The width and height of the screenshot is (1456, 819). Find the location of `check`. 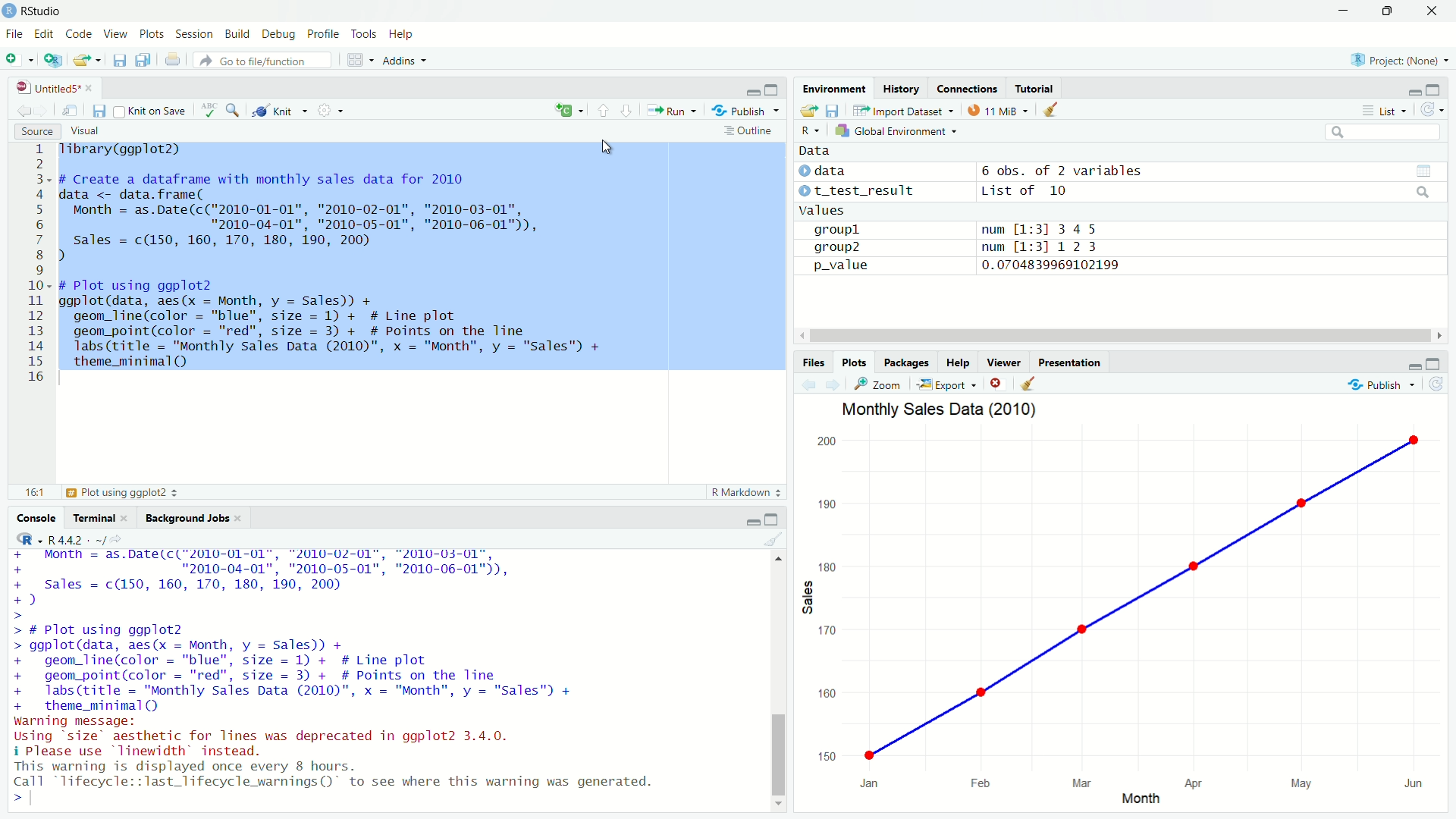

check is located at coordinates (207, 110).